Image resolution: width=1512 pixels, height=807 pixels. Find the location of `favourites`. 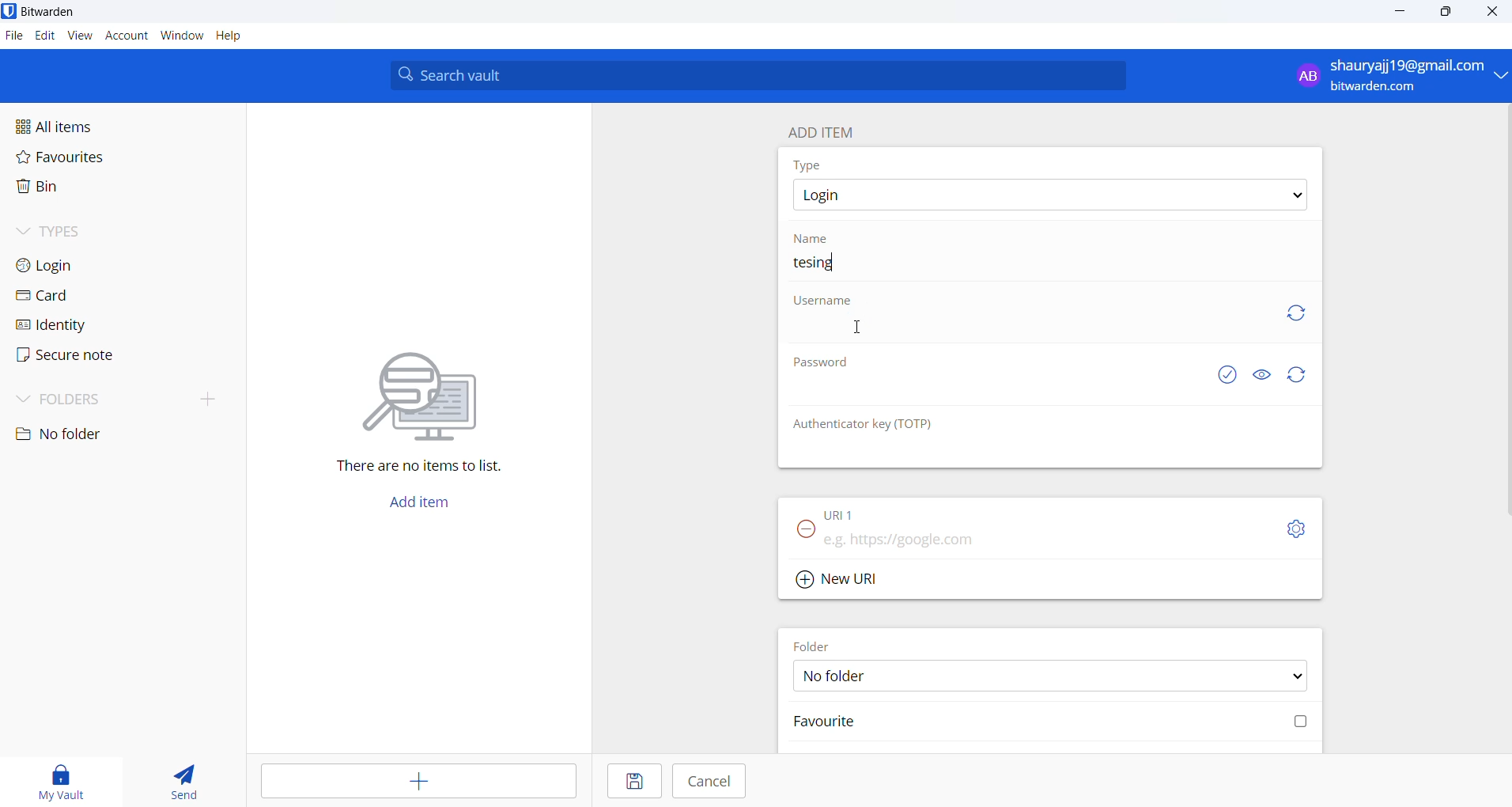

favourites is located at coordinates (88, 162).